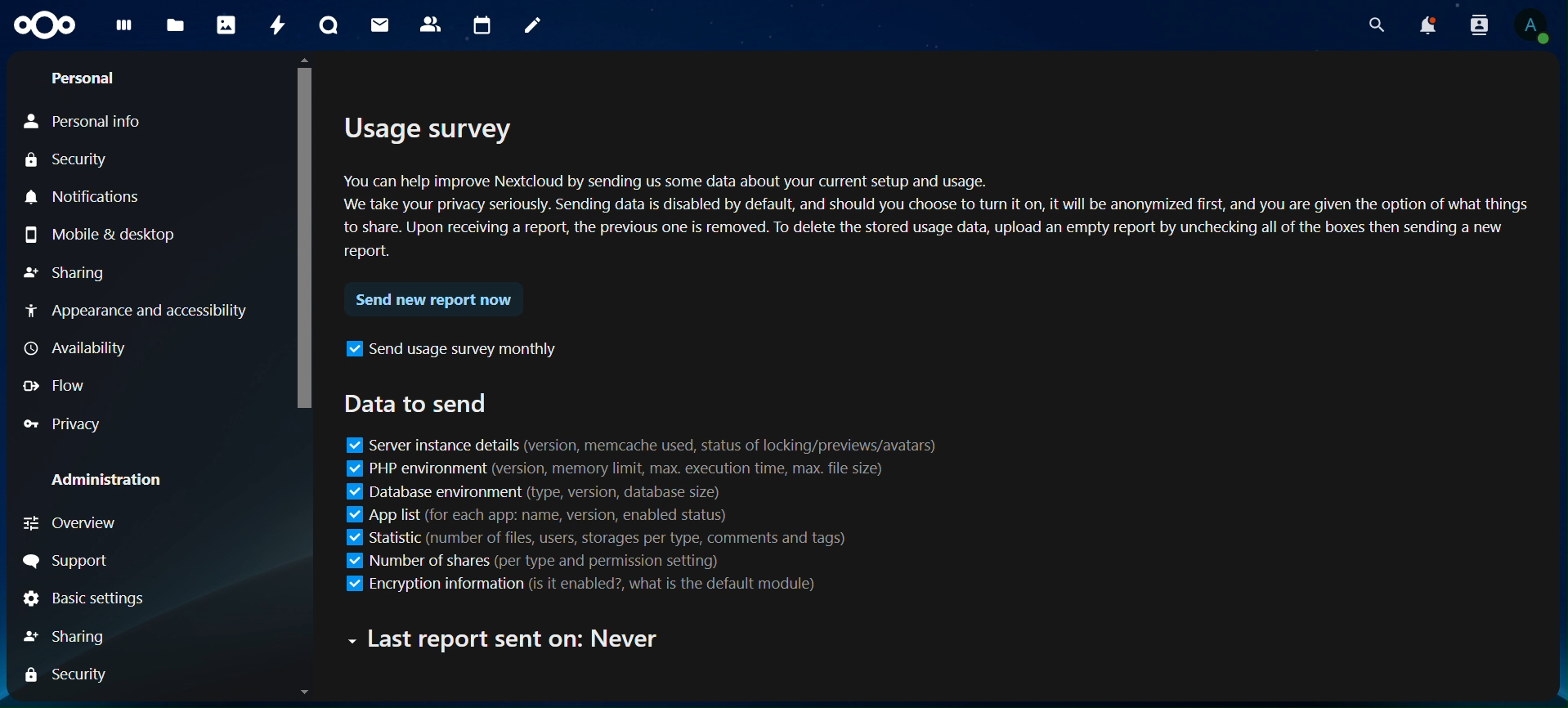 The height and width of the screenshot is (708, 1568). Describe the element at coordinates (469, 351) in the screenshot. I see `send usage survey monthly` at that location.